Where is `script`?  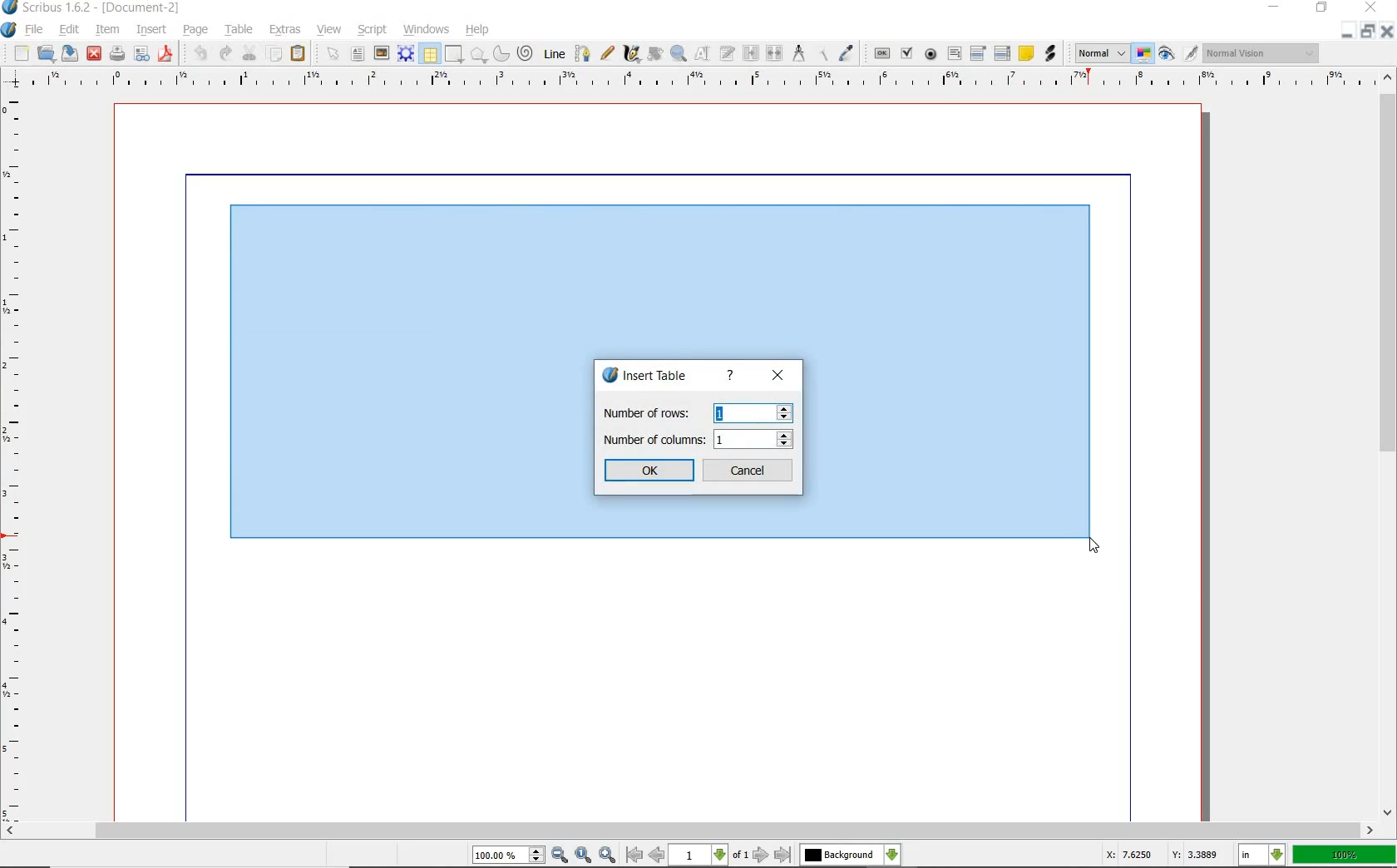
script is located at coordinates (373, 31).